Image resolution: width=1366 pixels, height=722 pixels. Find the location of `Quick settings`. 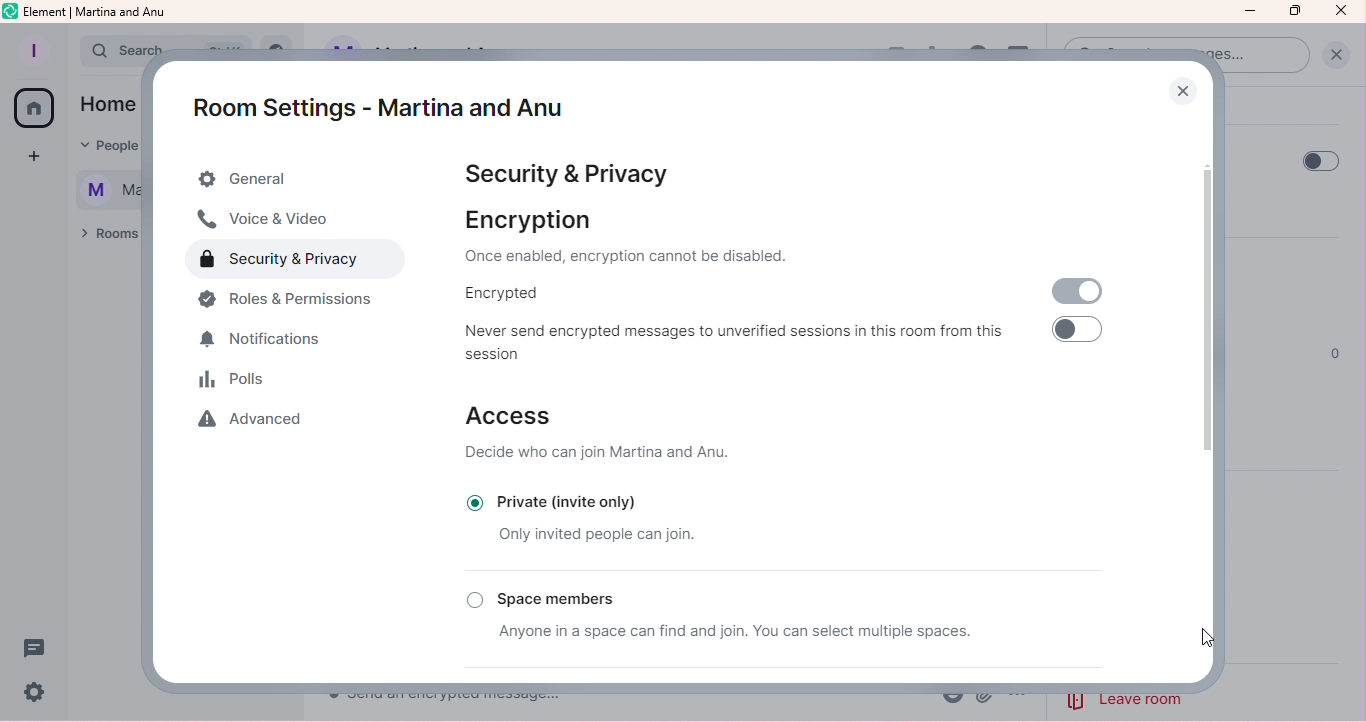

Quick settings is located at coordinates (34, 695).